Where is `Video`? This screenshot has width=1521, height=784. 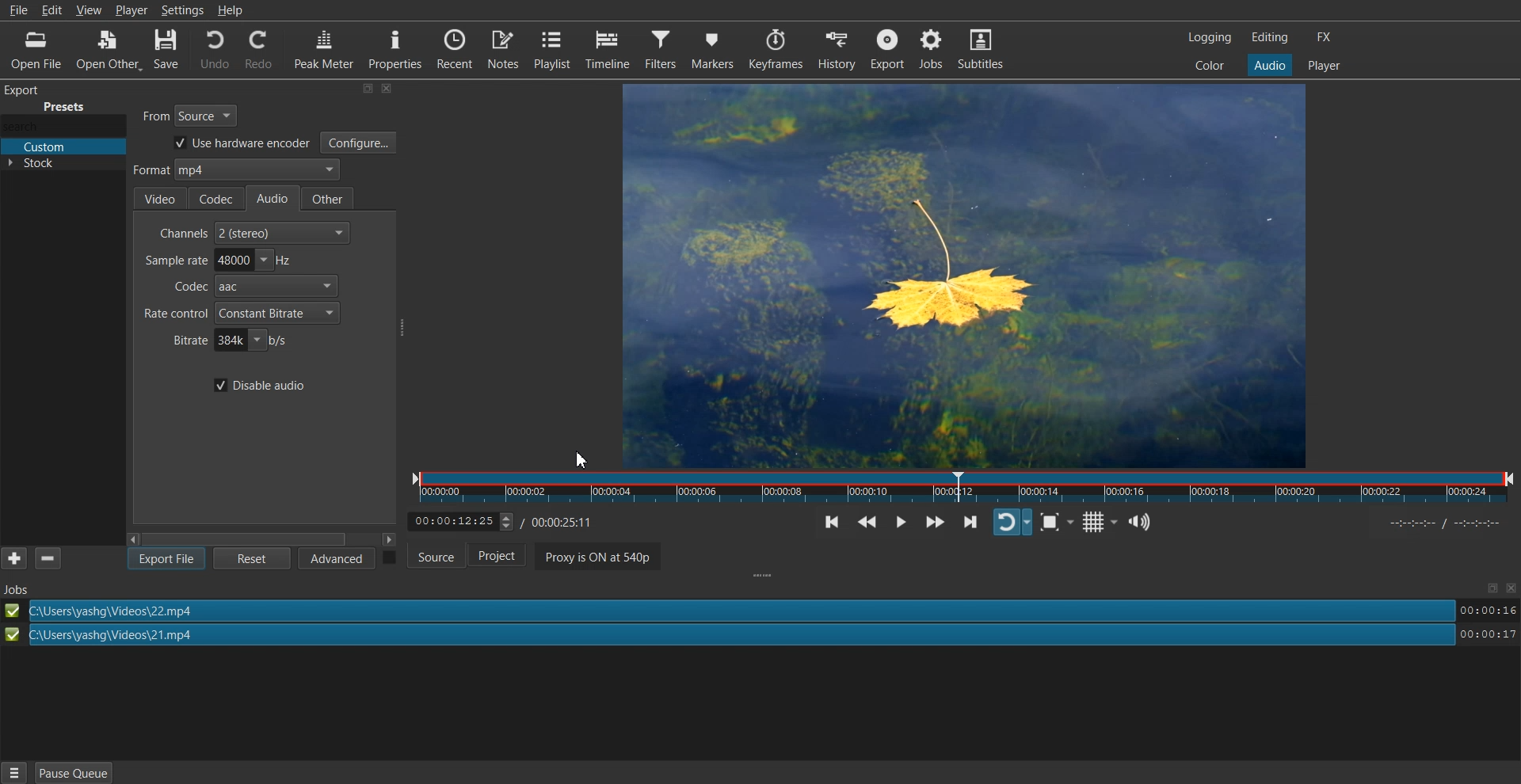
Video is located at coordinates (159, 199).